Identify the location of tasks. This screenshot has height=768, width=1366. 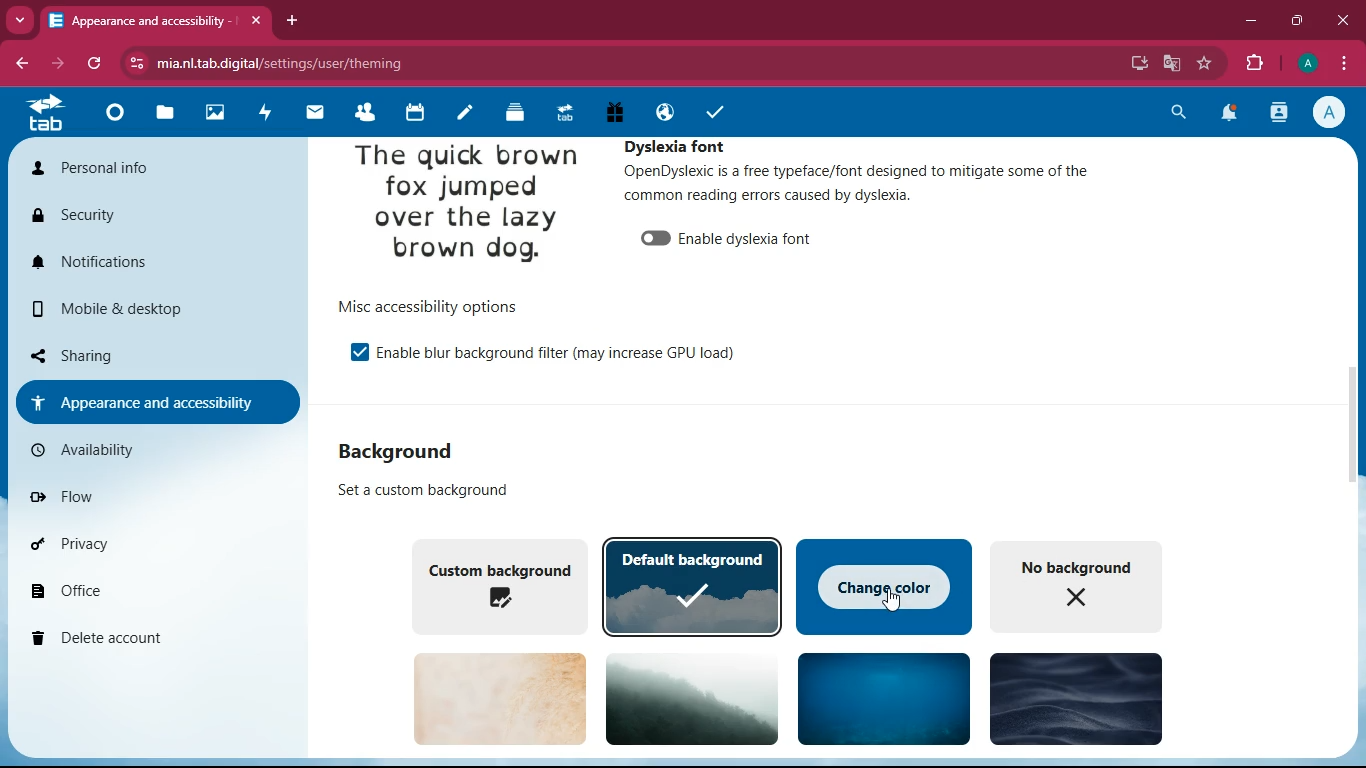
(714, 113).